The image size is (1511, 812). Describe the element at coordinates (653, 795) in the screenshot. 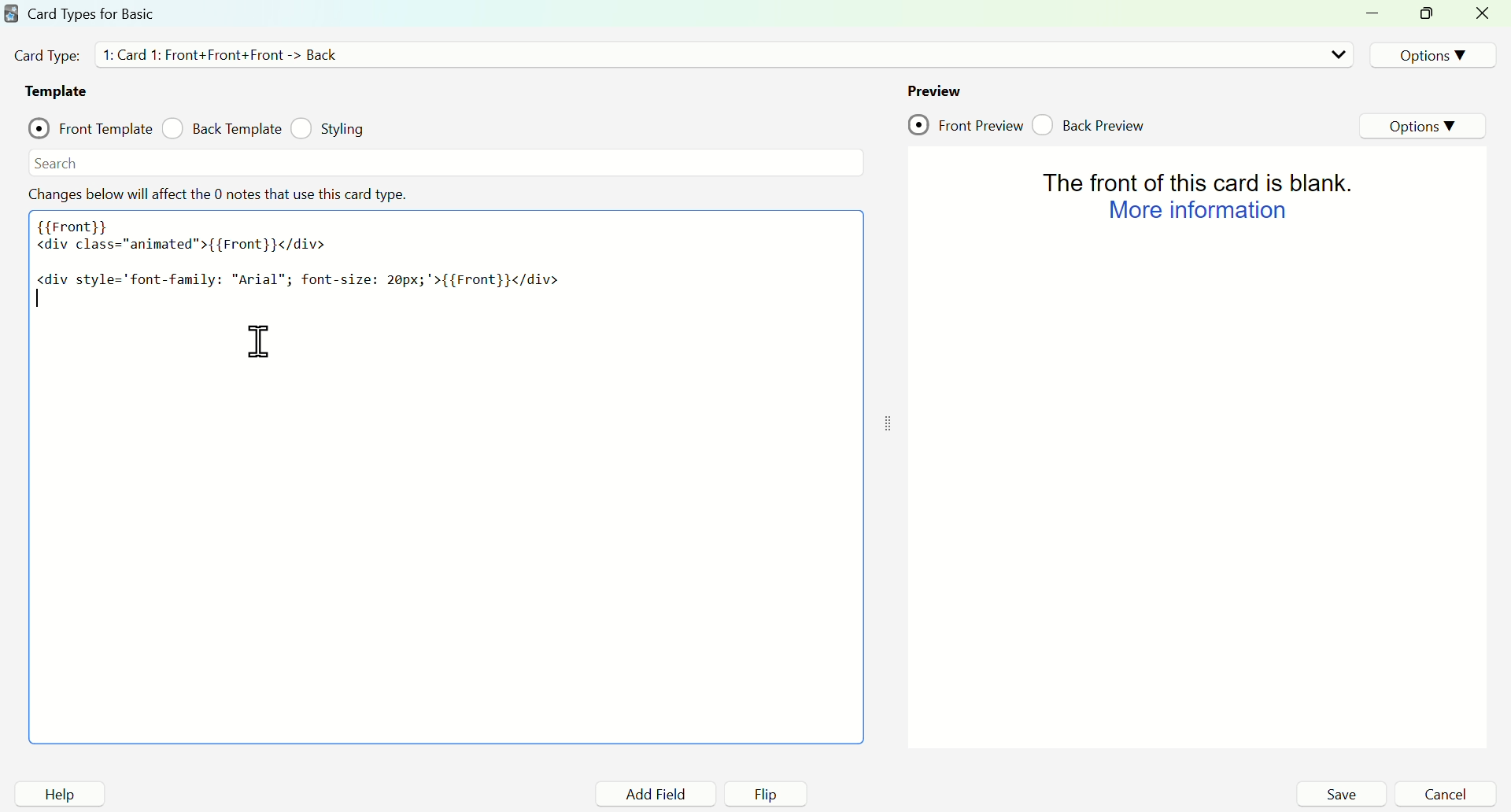

I see `add field` at that location.